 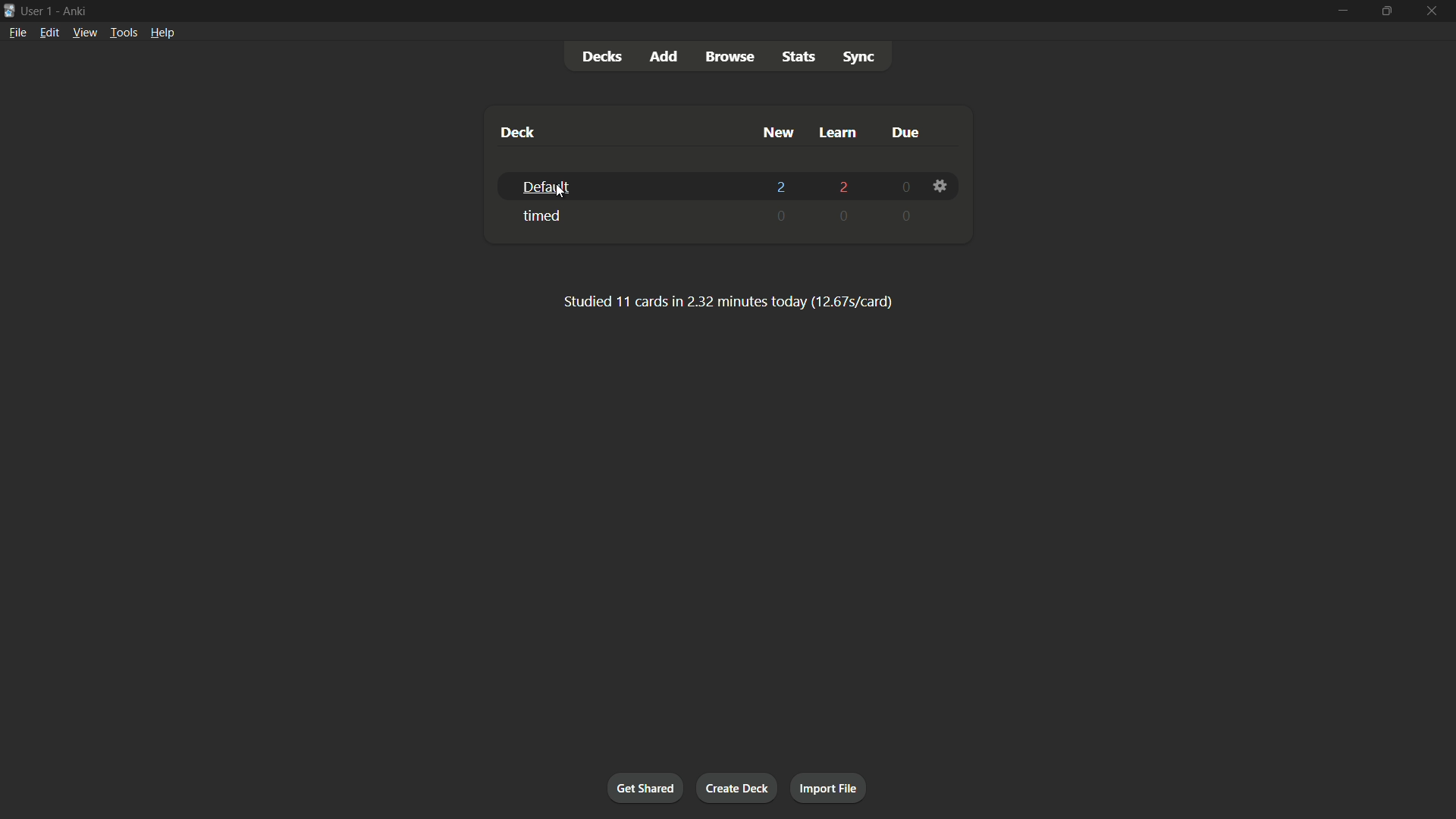 What do you see at coordinates (848, 186) in the screenshot?
I see `2` at bounding box center [848, 186].